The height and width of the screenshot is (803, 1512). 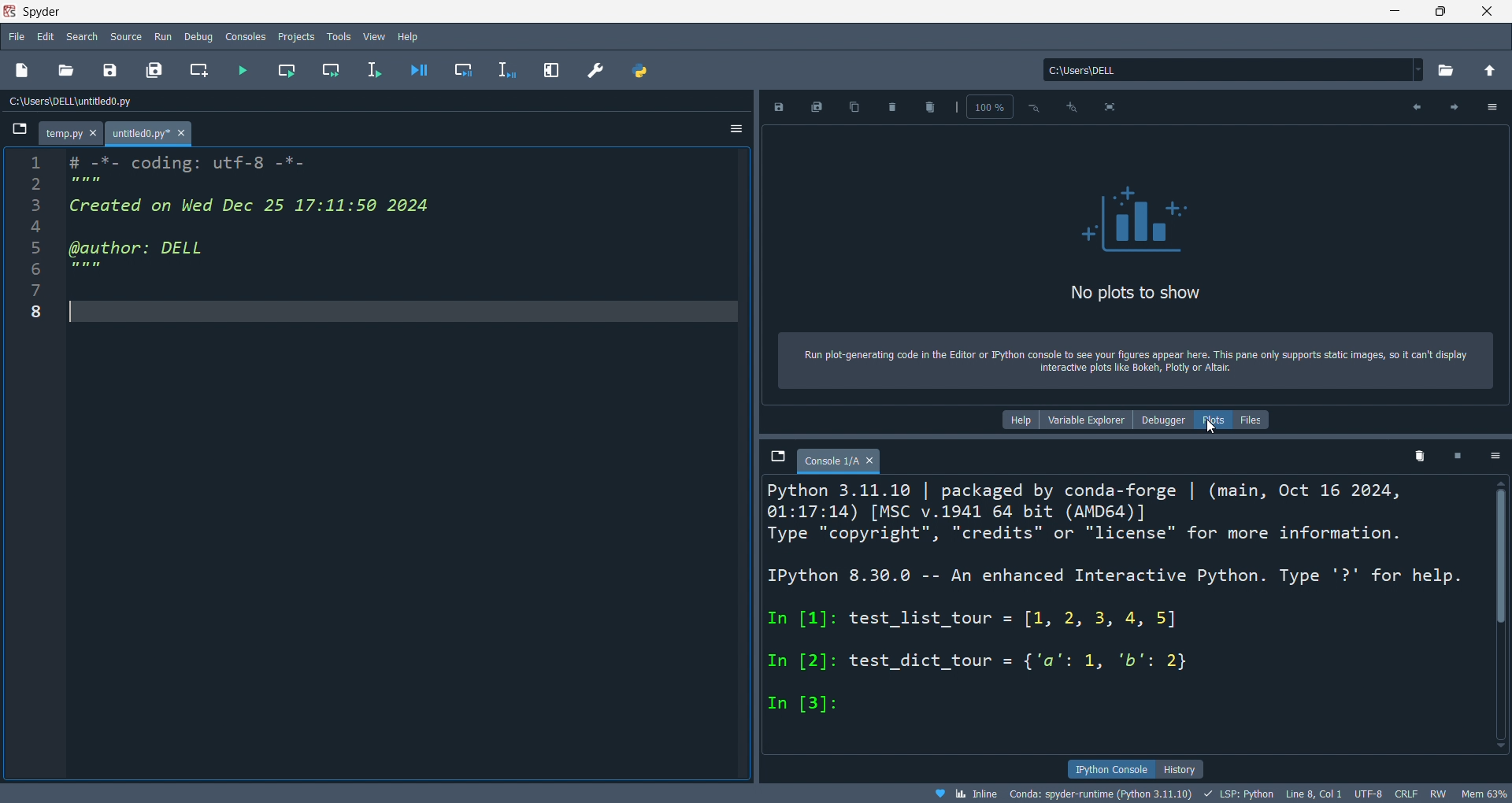 What do you see at coordinates (1071, 107) in the screenshot?
I see `zoom in` at bounding box center [1071, 107].